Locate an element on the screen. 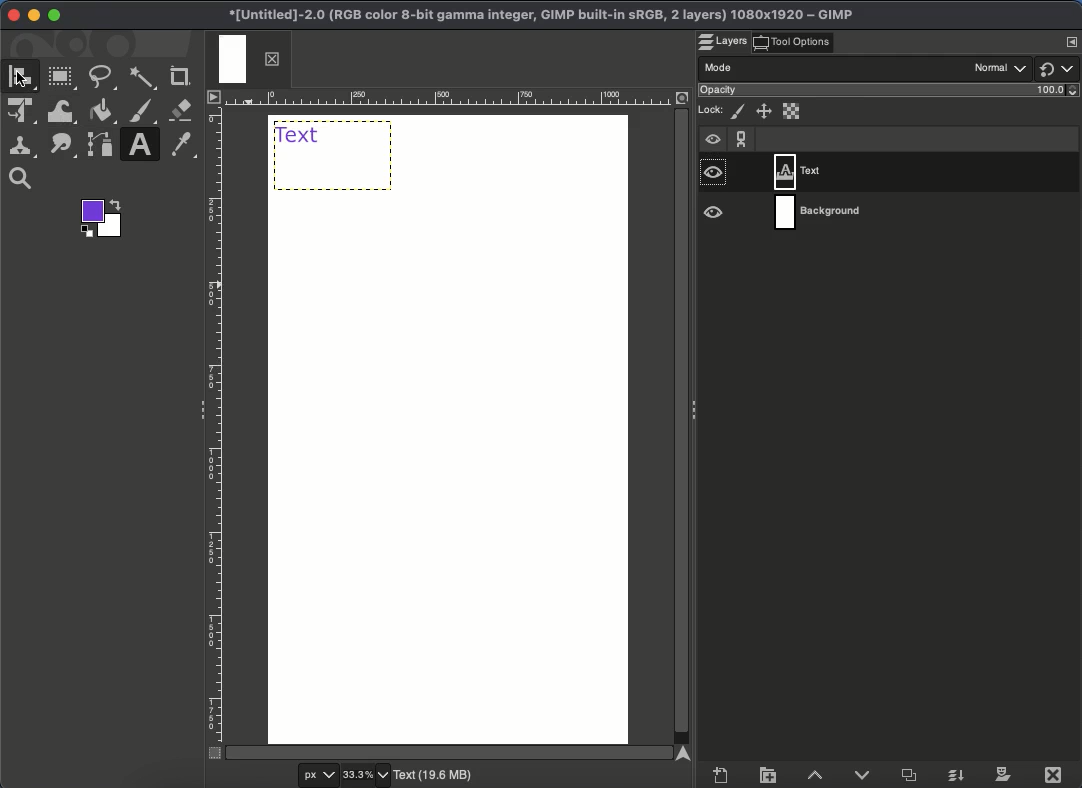 Image resolution: width=1082 pixels, height=788 pixels. Fuzzy select tool is located at coordinates (145, 77).